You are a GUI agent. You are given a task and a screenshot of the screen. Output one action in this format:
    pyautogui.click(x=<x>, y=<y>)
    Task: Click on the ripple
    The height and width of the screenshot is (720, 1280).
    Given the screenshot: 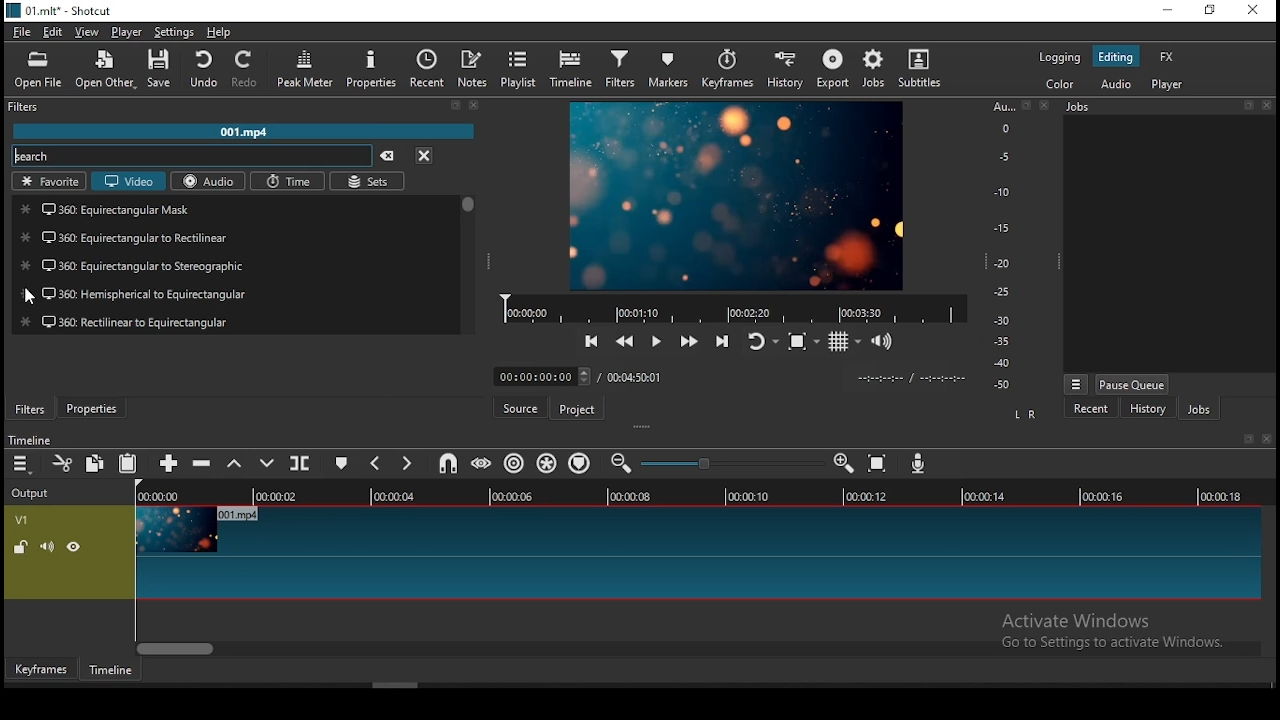 What is the action you would take?
    pyautogui.click(x=518, y=462)
    